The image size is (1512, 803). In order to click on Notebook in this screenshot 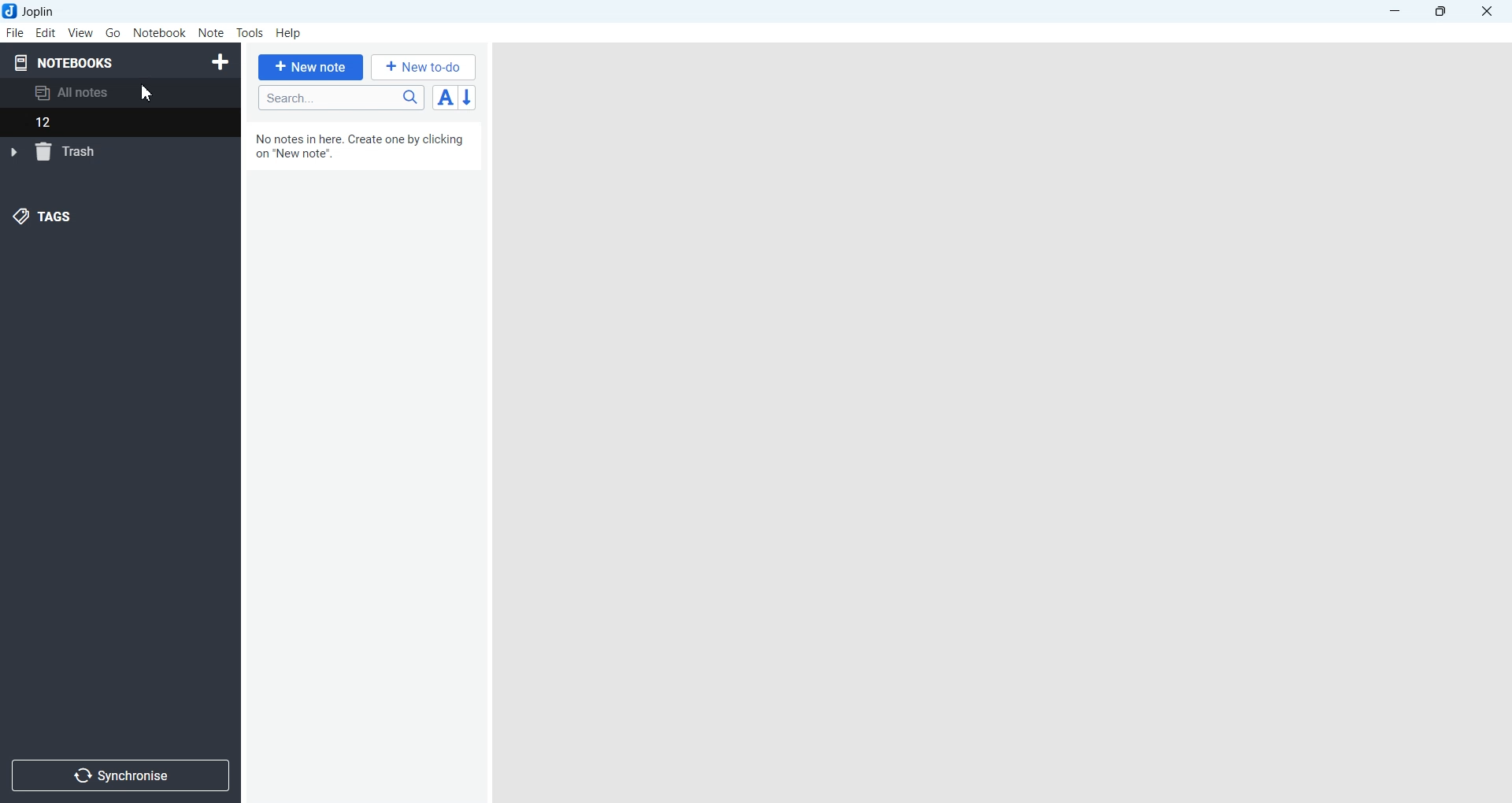, I will do `click(160, 33)`.